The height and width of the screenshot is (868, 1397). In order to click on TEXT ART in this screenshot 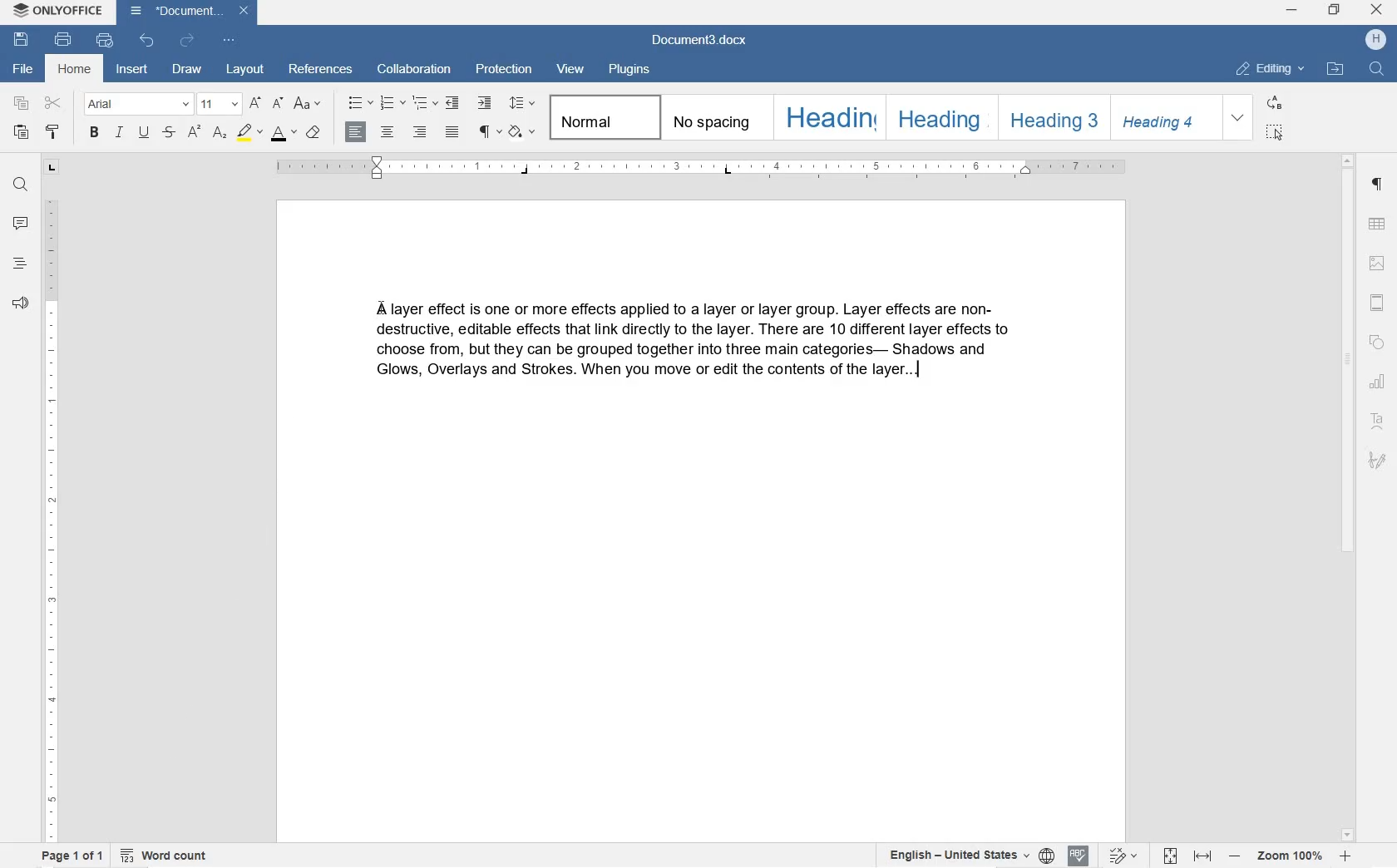, I will do `click(1379, 418)`.